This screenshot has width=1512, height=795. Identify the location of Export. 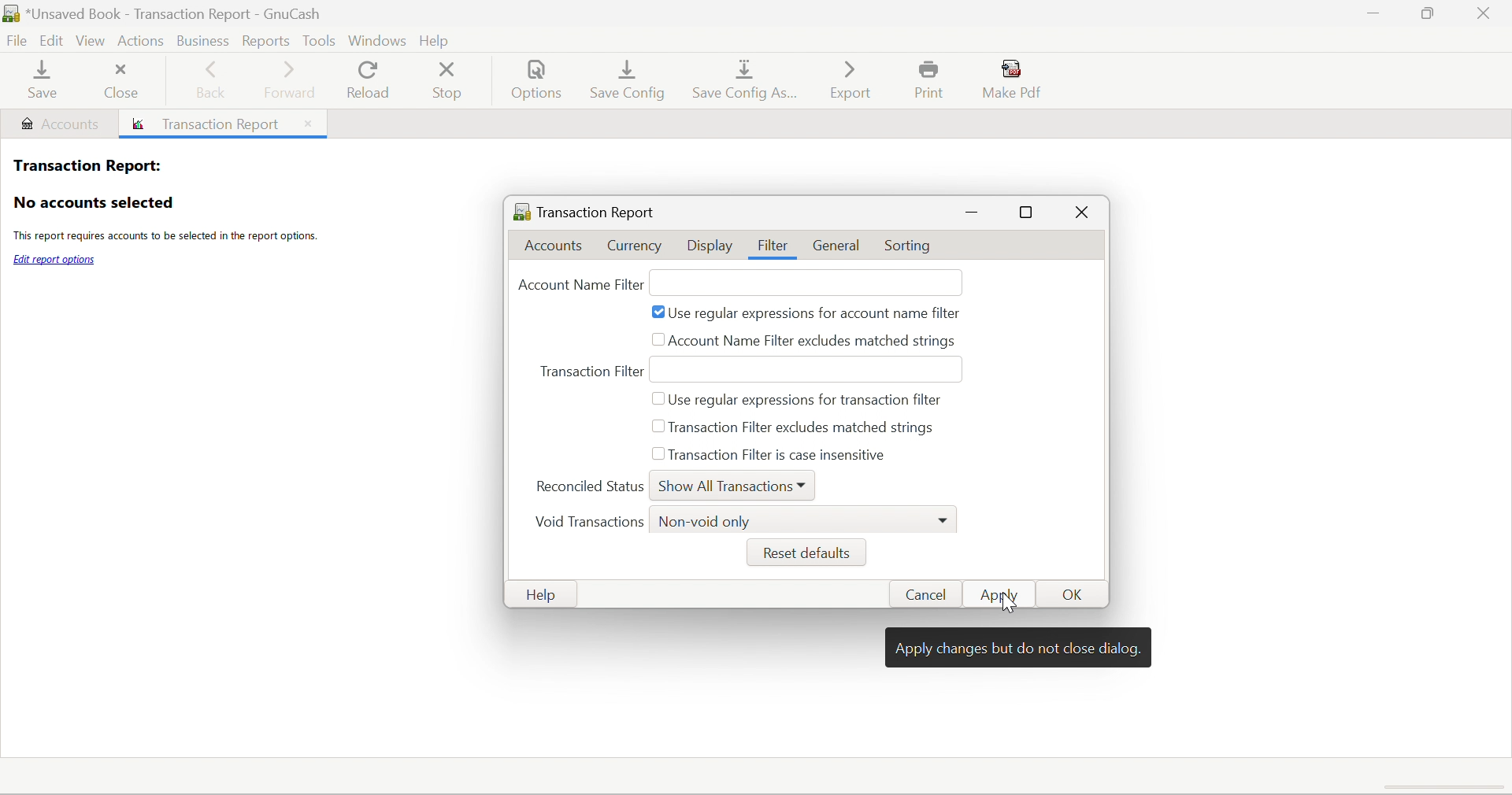
(849, 79).